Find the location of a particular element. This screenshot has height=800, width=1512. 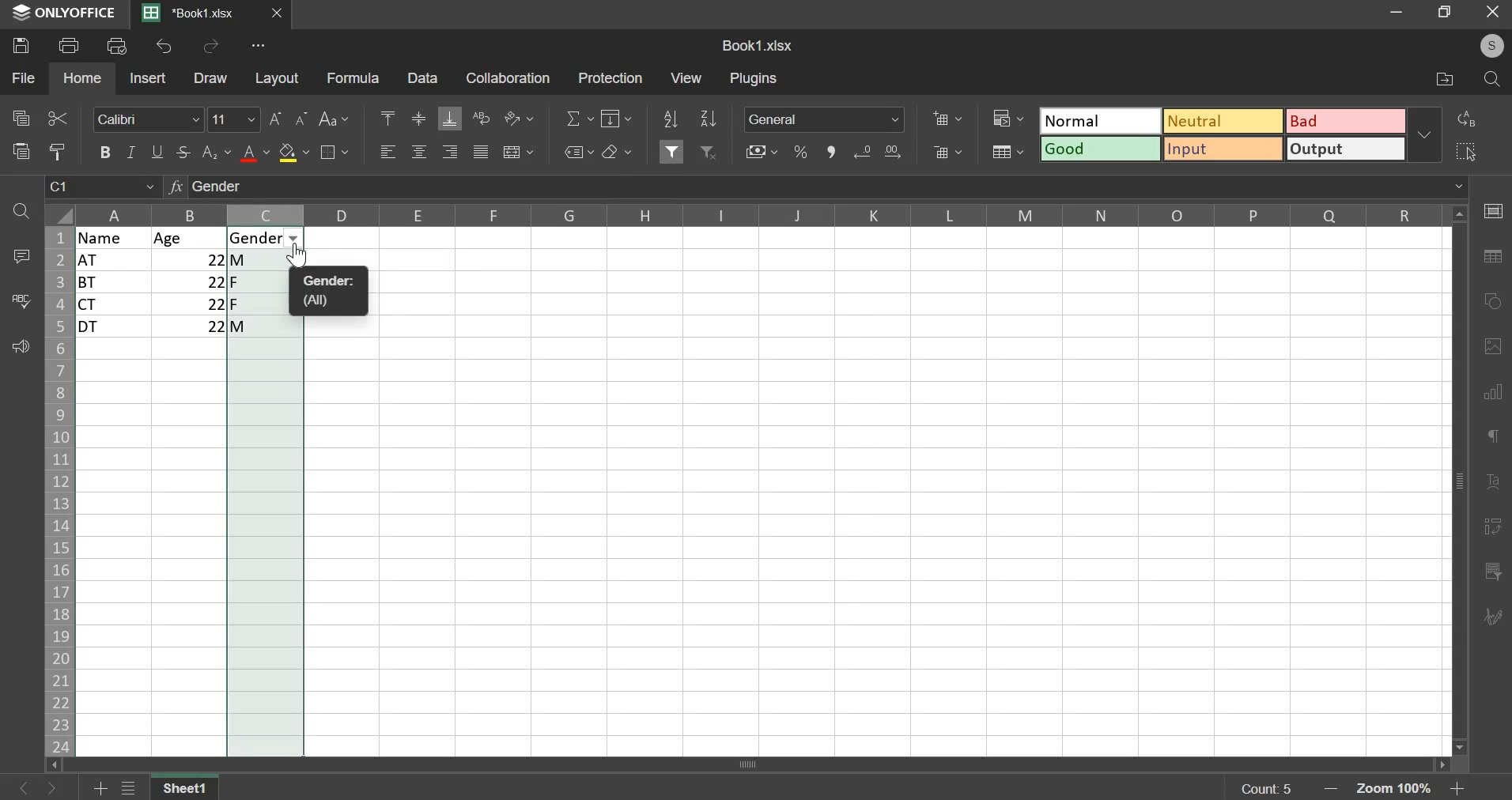

cut is located at coordinates (58, 119).